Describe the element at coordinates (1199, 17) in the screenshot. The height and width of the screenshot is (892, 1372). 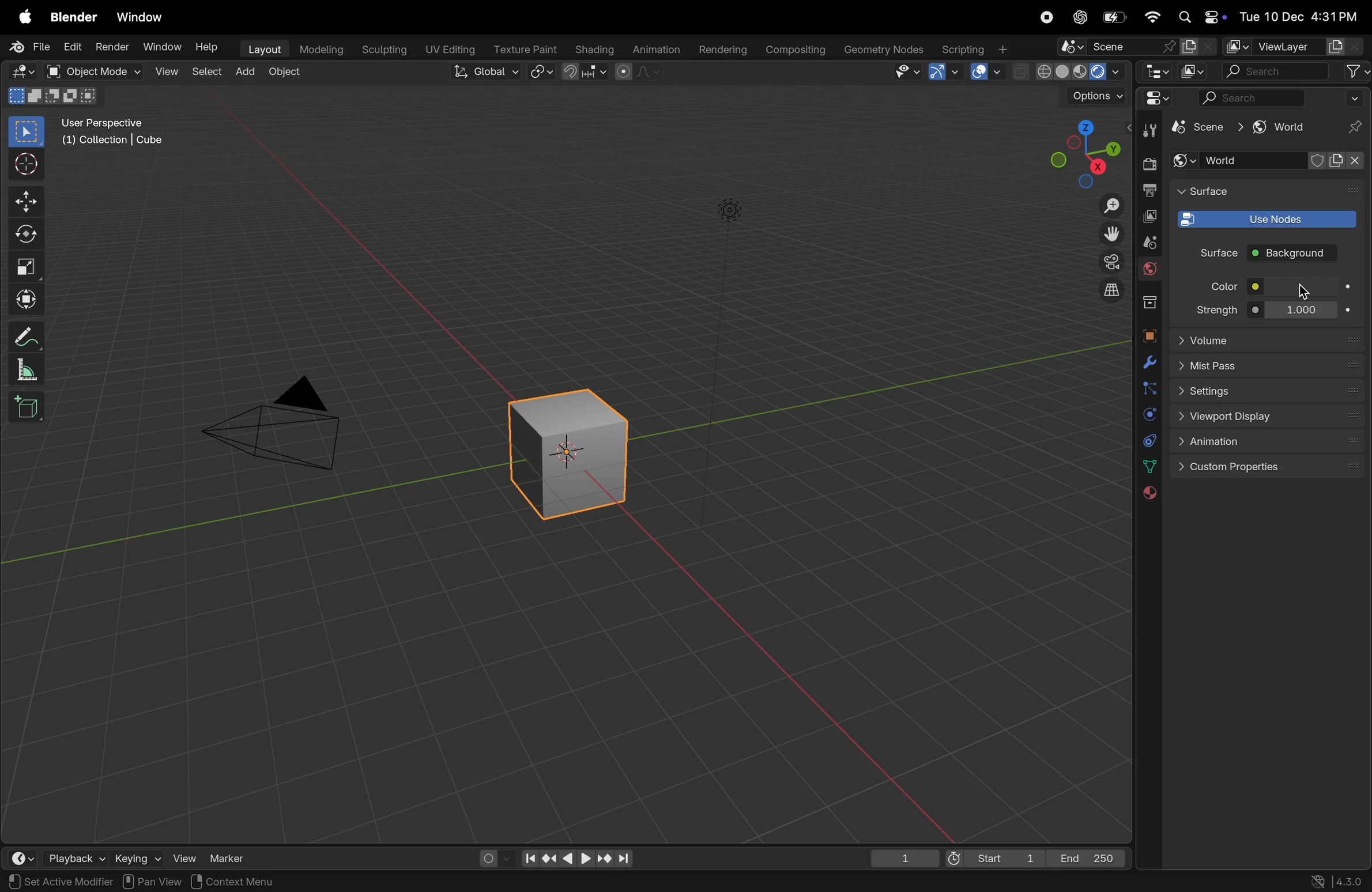
I see `apple widgets` at that location.